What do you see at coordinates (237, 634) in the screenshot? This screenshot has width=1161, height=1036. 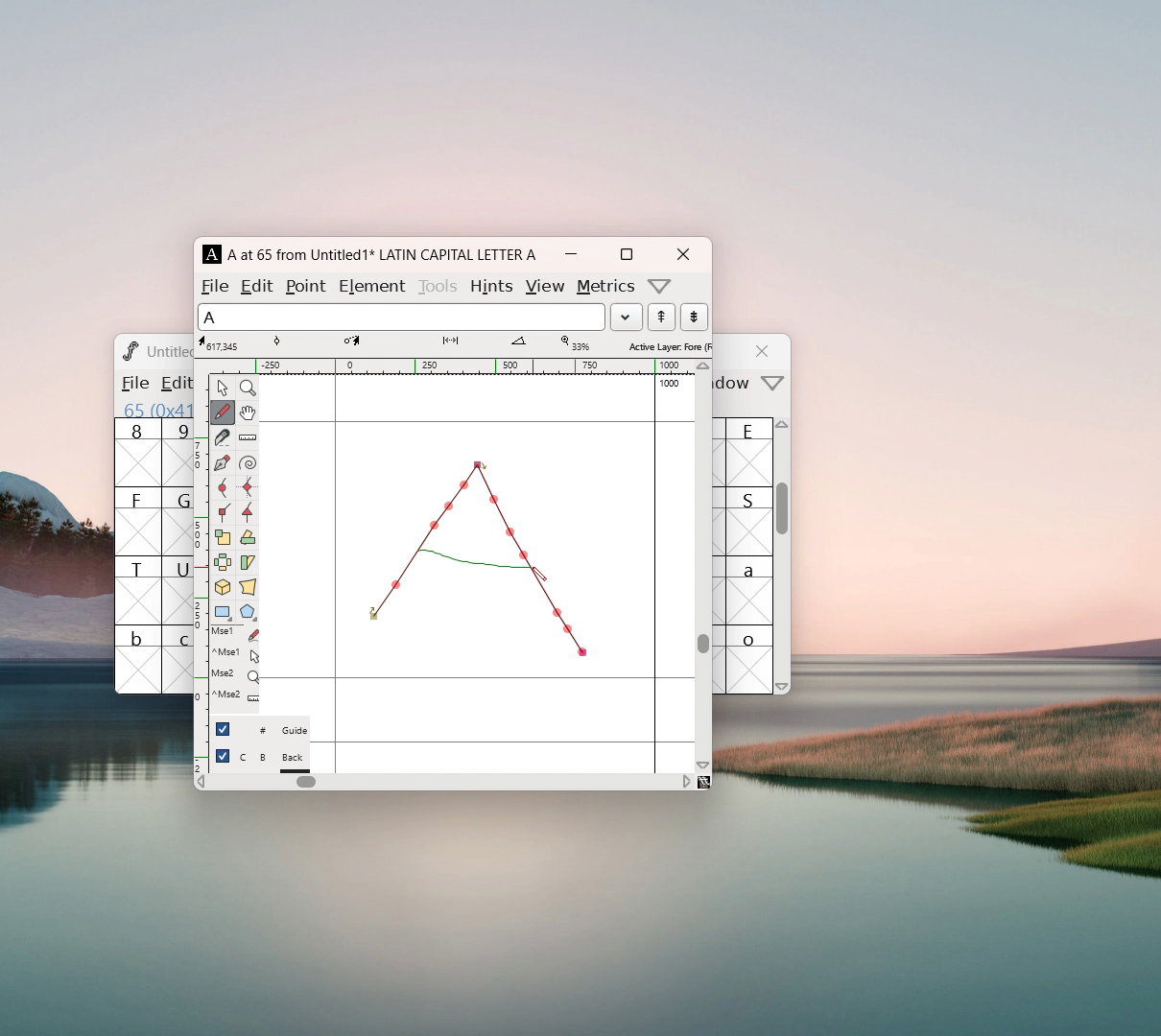 I see `Mse1` at bounding box center [237, 634].